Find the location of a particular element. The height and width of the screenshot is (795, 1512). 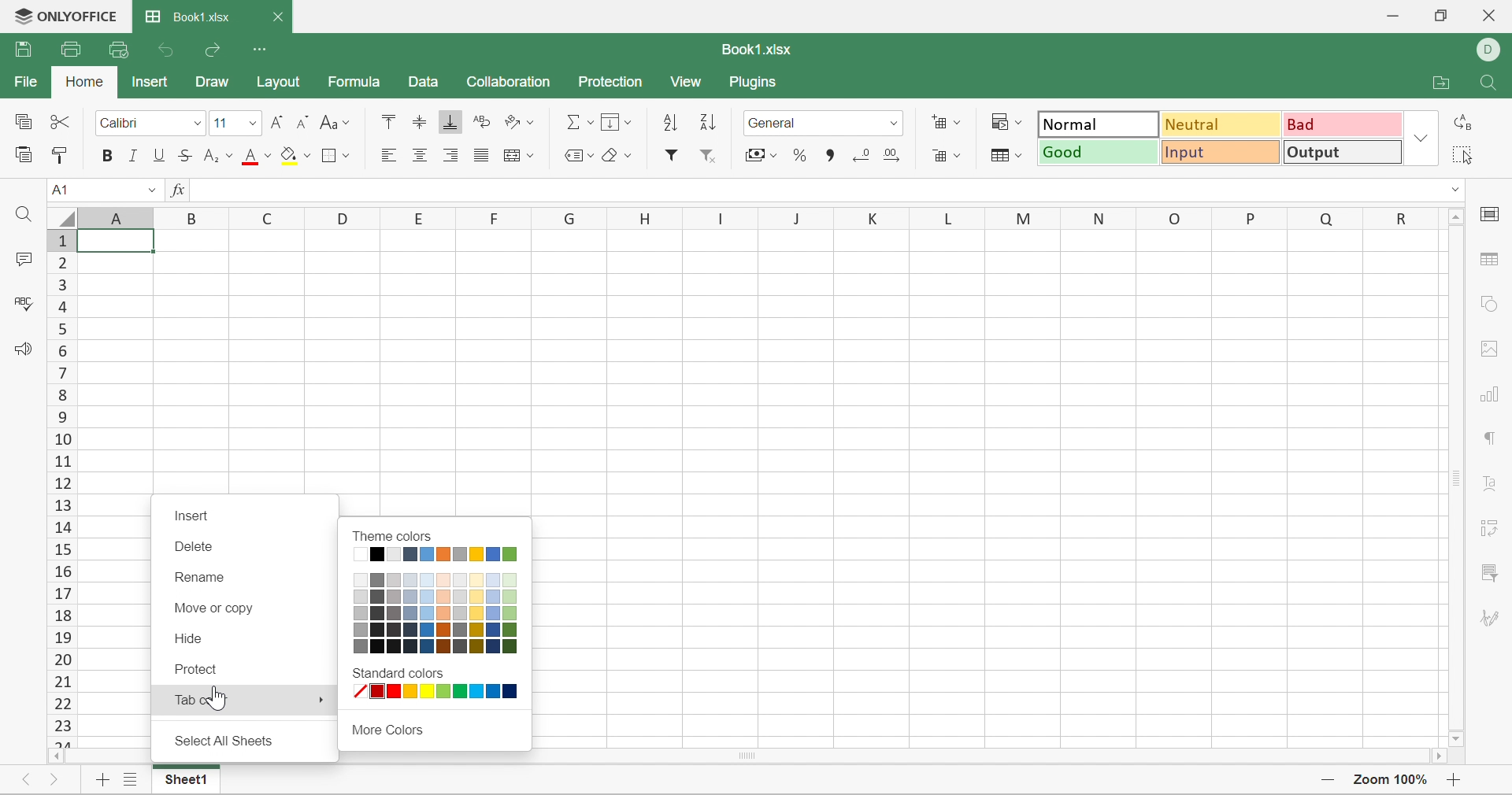

 is located at coordinates (613, 121).